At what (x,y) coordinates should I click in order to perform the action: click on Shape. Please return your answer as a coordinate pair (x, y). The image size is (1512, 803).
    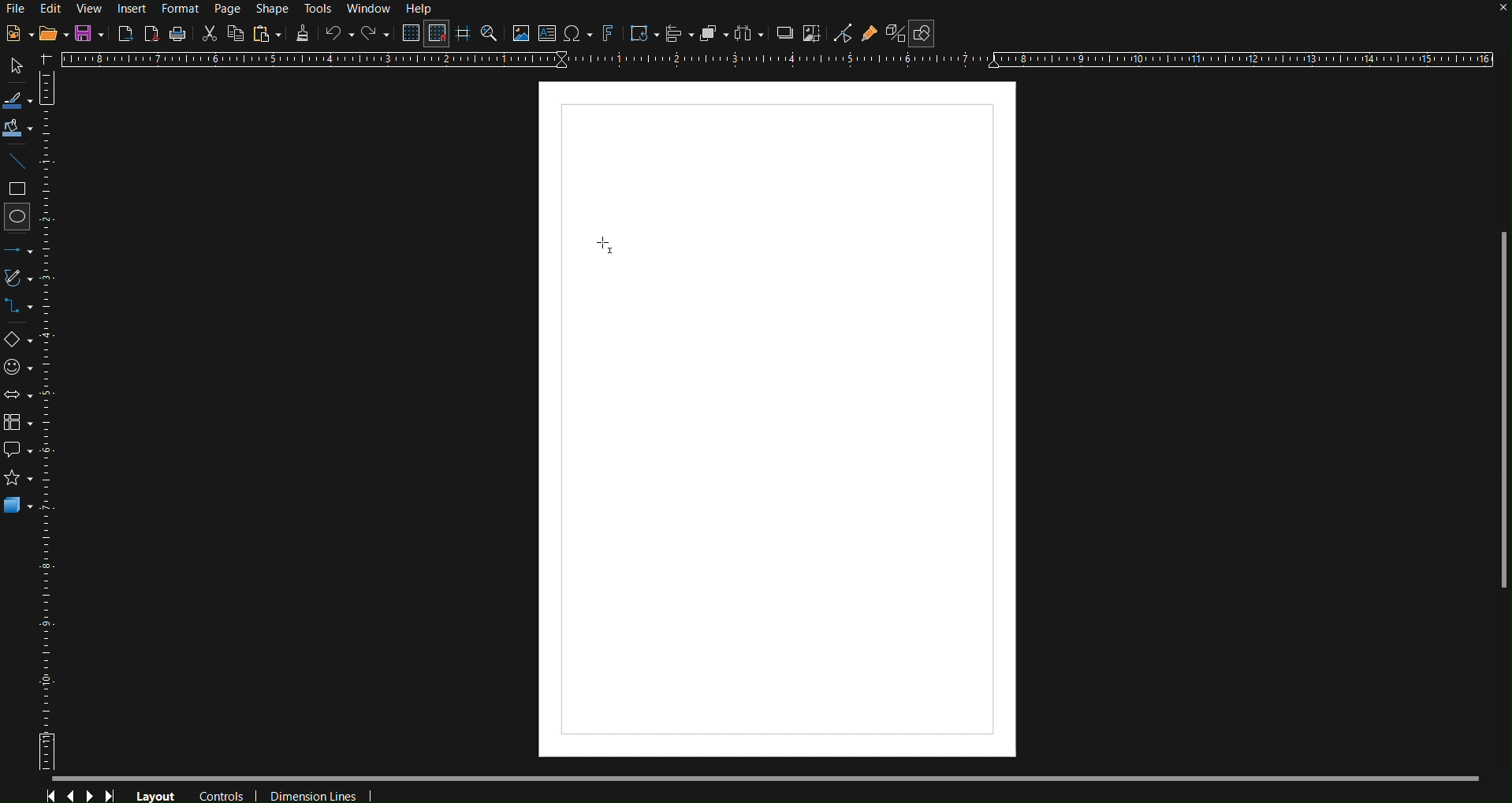
    Looking at the image, I should click on (270, 9).